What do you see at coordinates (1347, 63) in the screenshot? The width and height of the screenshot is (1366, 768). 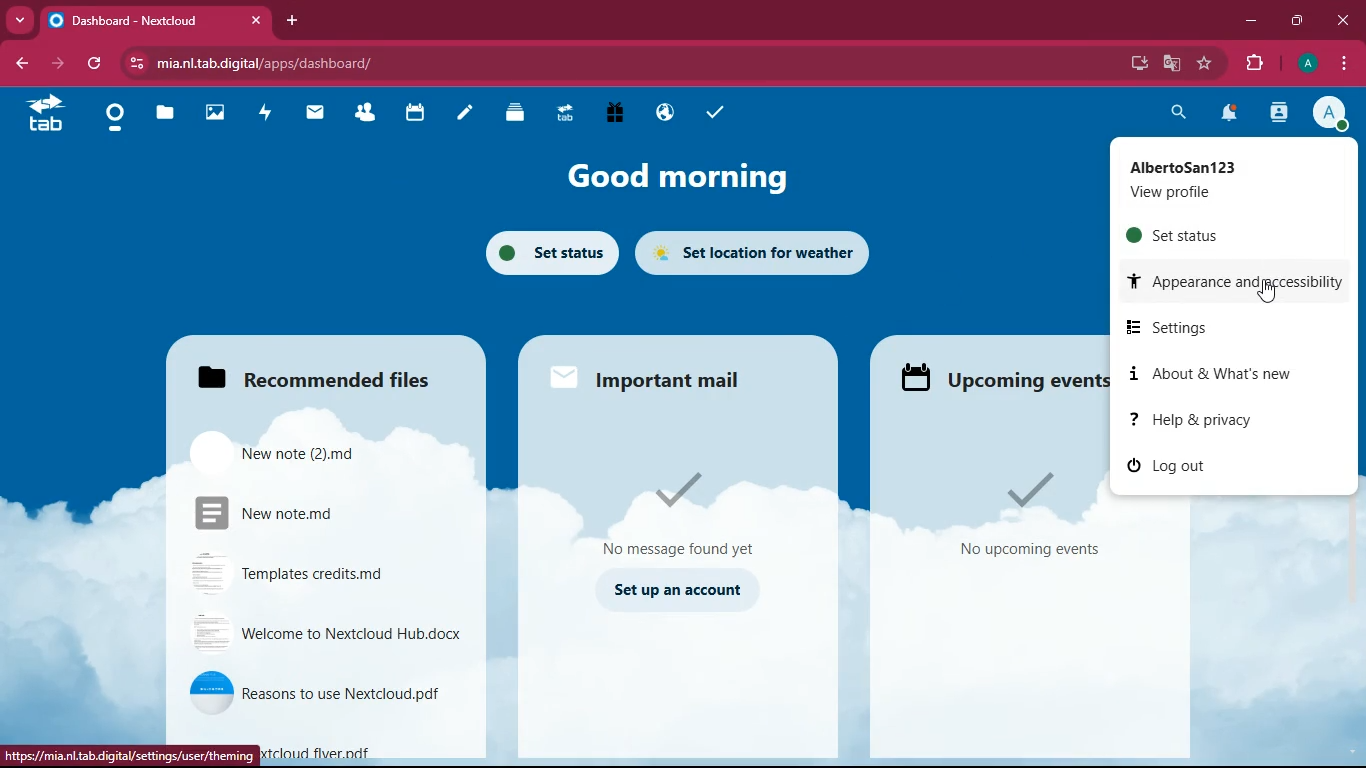 I see `menu` at bounding box center [1347, 63].